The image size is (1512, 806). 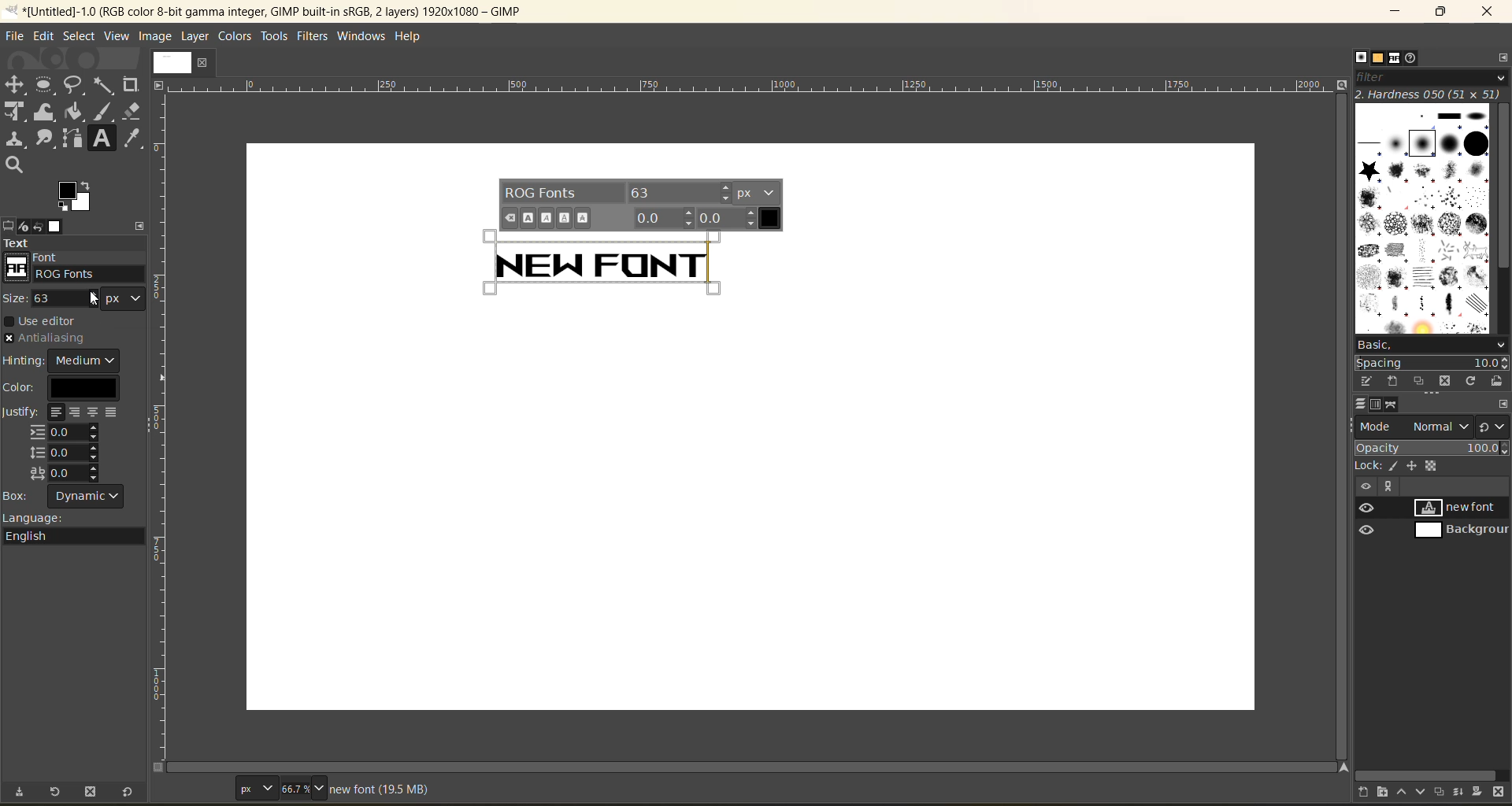 What do you see at coordinates (75, 245) in the screenshot?
I see `text` at bounding box center [75, 245].